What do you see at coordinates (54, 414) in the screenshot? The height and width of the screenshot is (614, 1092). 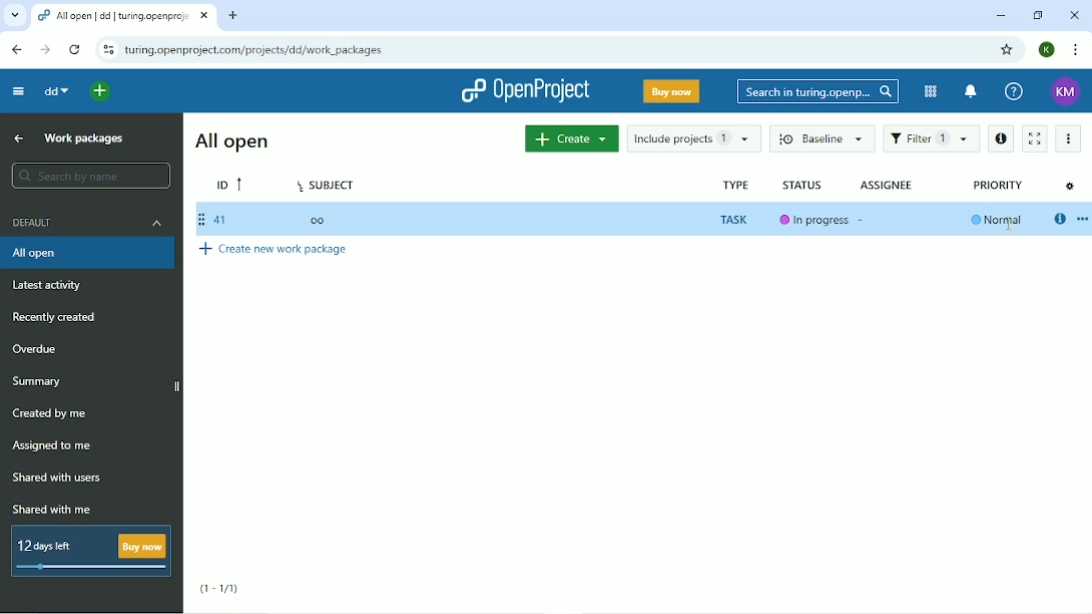 I see `Created by me` at bounding box center [54, 414].